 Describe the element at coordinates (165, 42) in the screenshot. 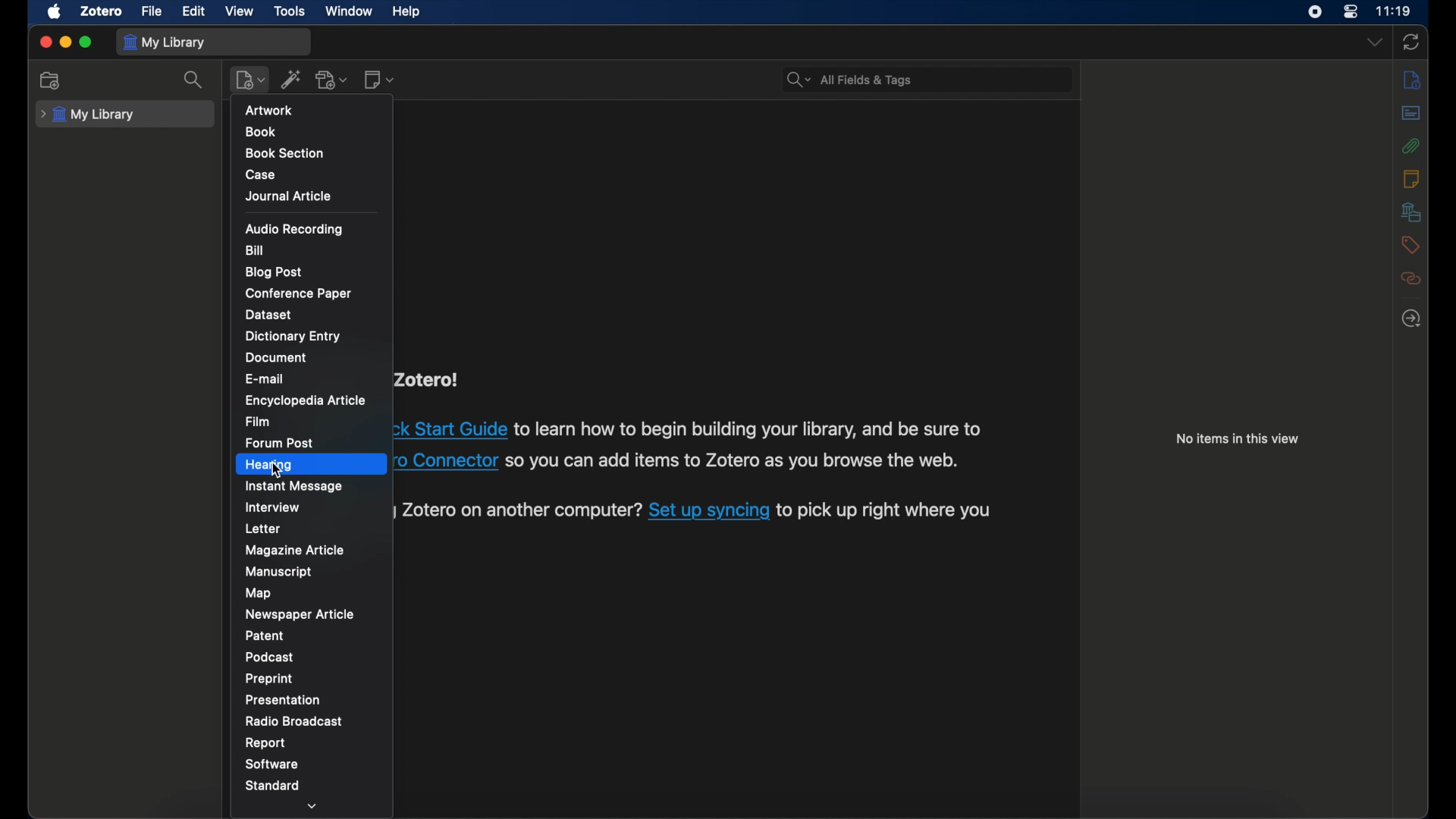

I see `my library` at that location.